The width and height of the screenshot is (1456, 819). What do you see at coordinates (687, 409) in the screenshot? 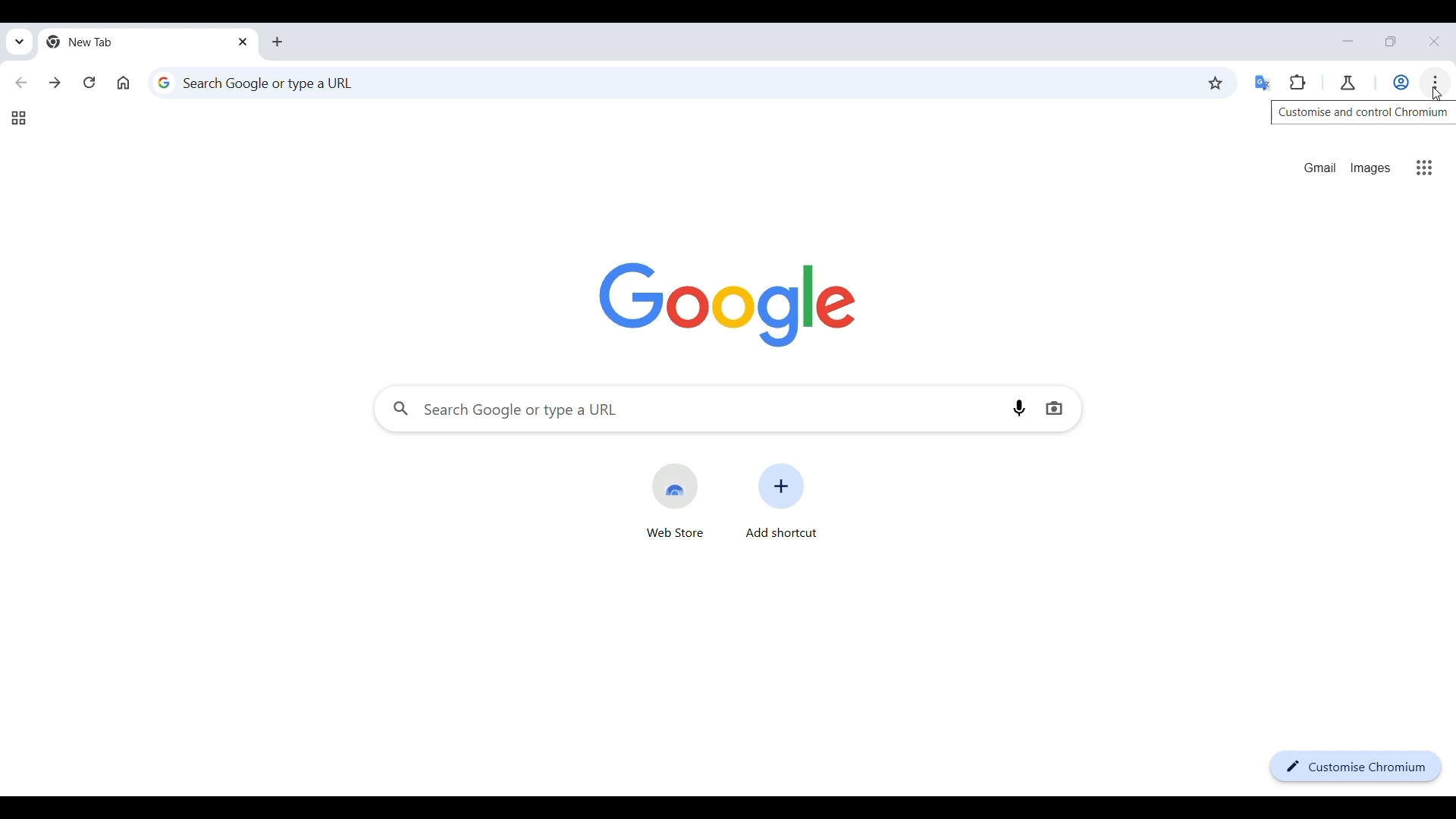
I see `Search Google or enter web link` at bounding box center [687, 409].